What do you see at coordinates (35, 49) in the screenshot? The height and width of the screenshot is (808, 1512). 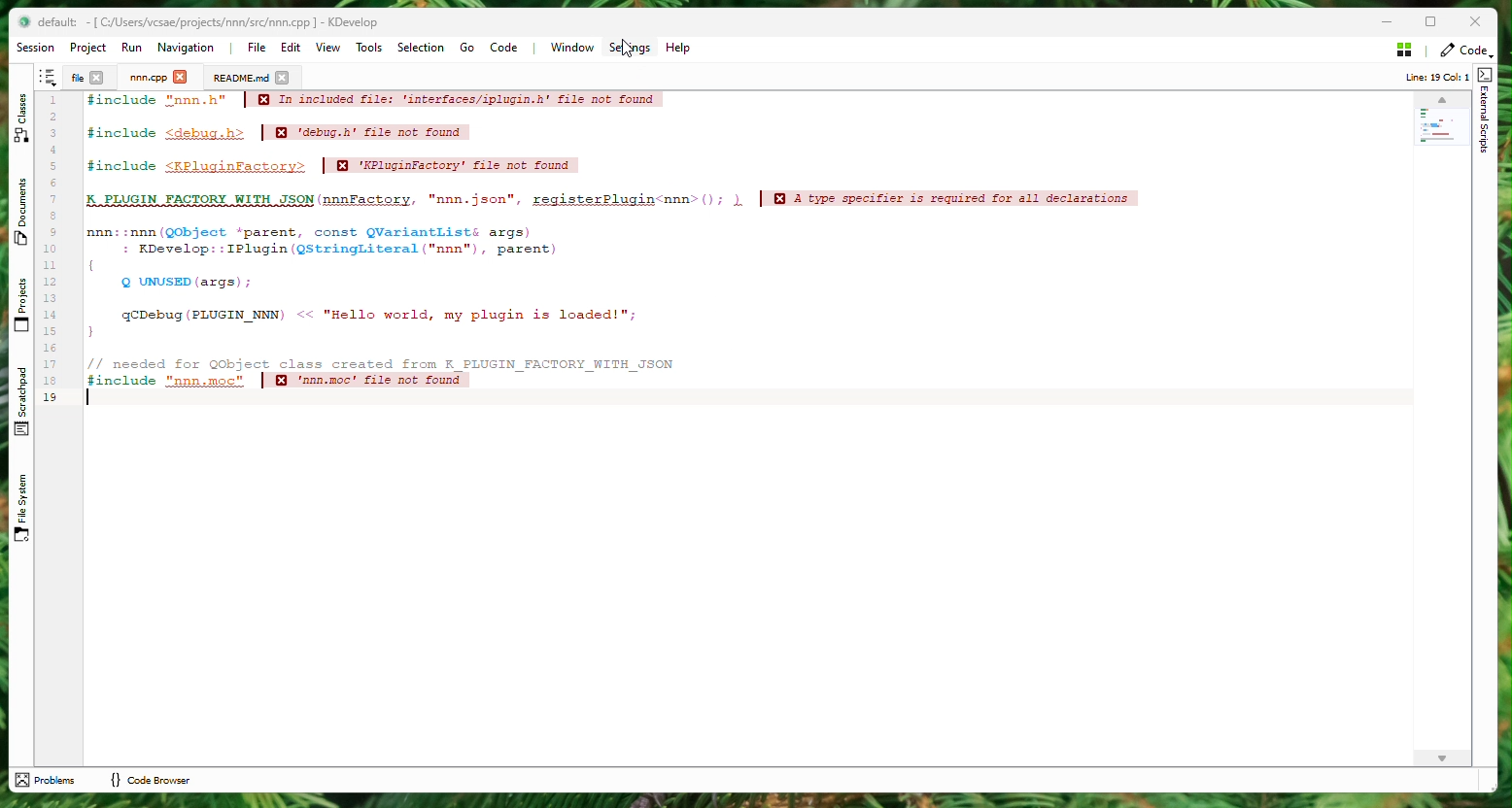 I see `Session` at bounding box center [35, 49].